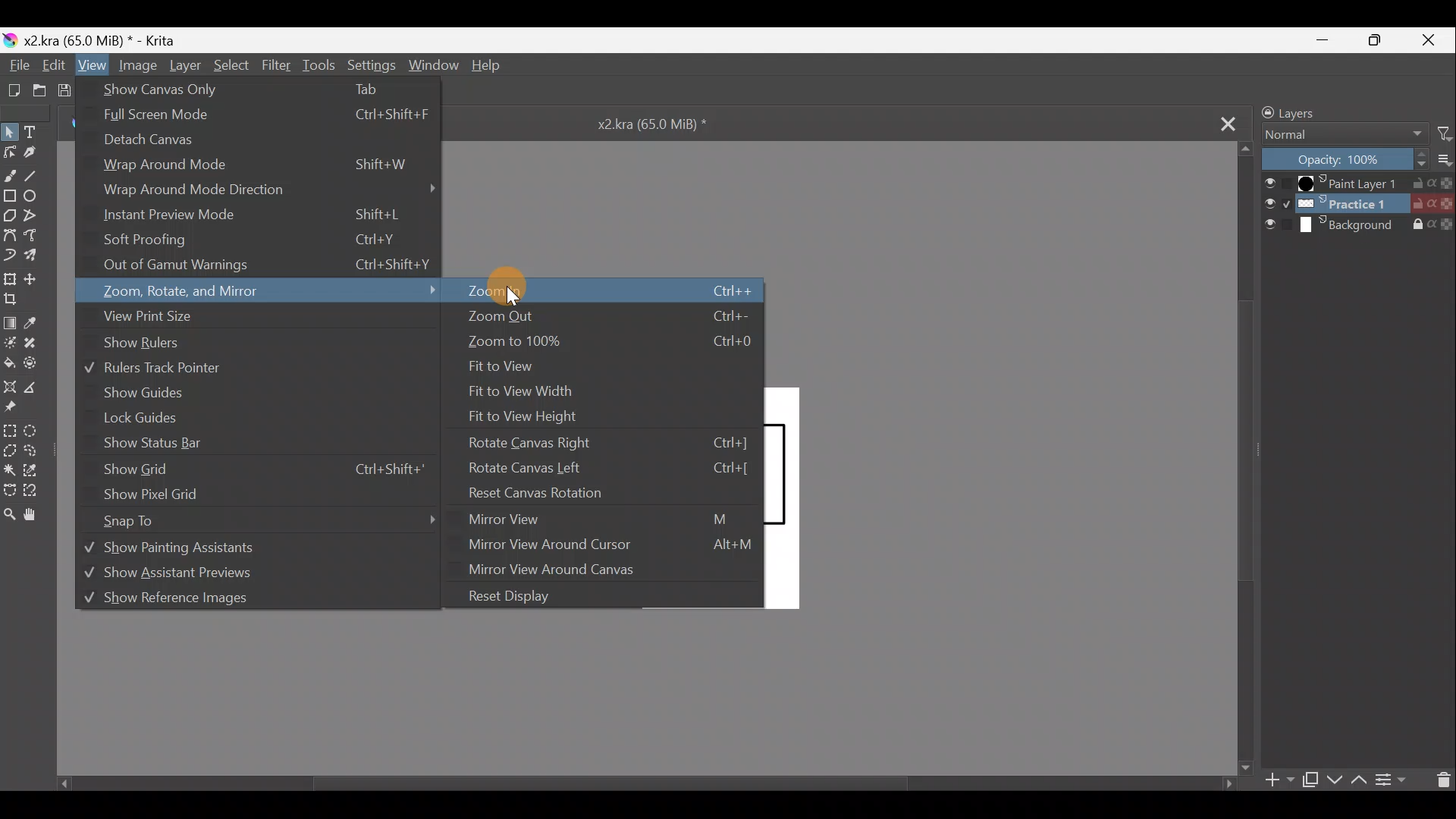  What do you see at coordinates (267, 116) in the screenshot?
I see `Full screen mode  Ctrl+Shift+F` at bounding box center [267, 116].